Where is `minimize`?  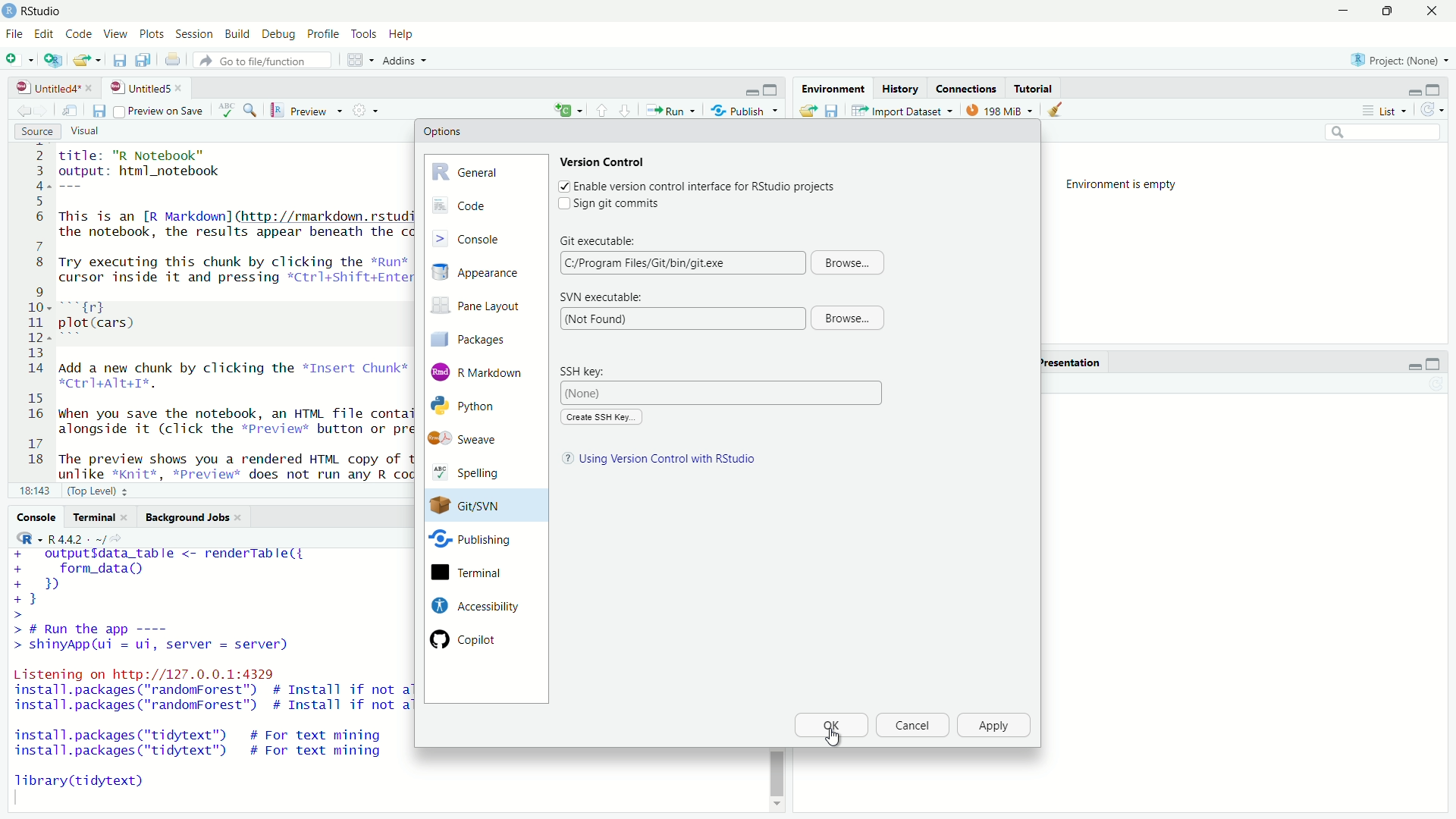
minimize is located at coordinates (1413, 365).